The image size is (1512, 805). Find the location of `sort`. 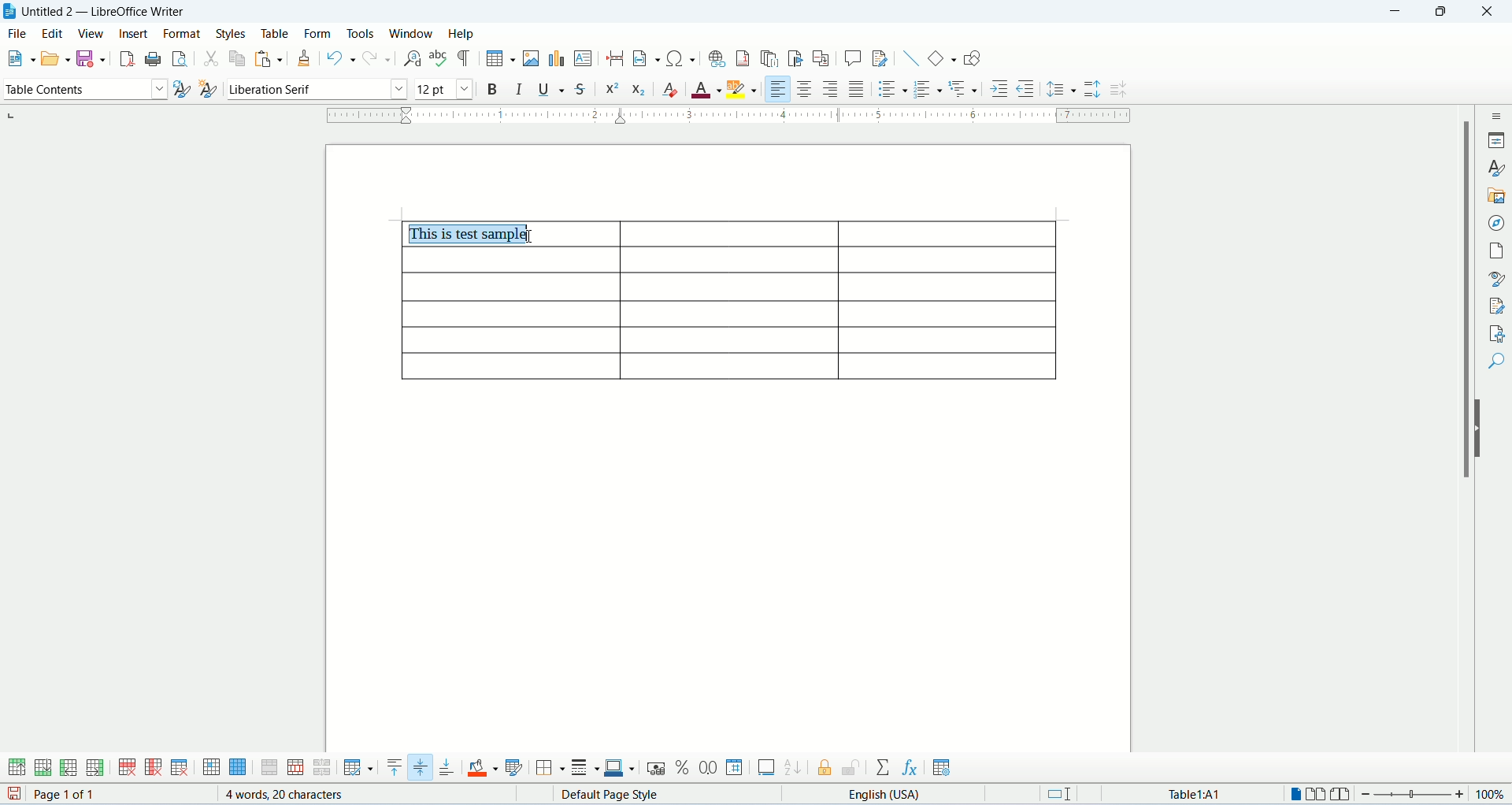

sort is located at coordinates (792, 769).